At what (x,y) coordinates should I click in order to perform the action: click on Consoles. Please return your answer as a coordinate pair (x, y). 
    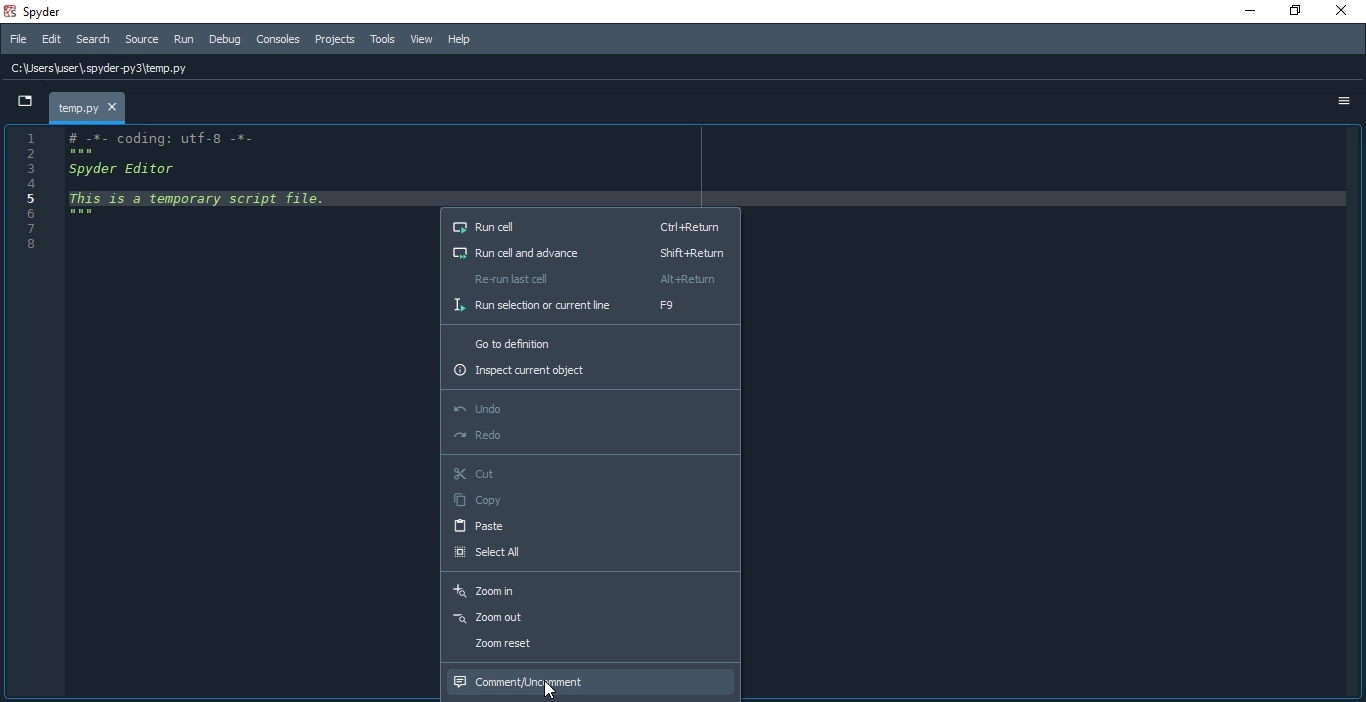
    Looking at the image, I should click on (277, 39).